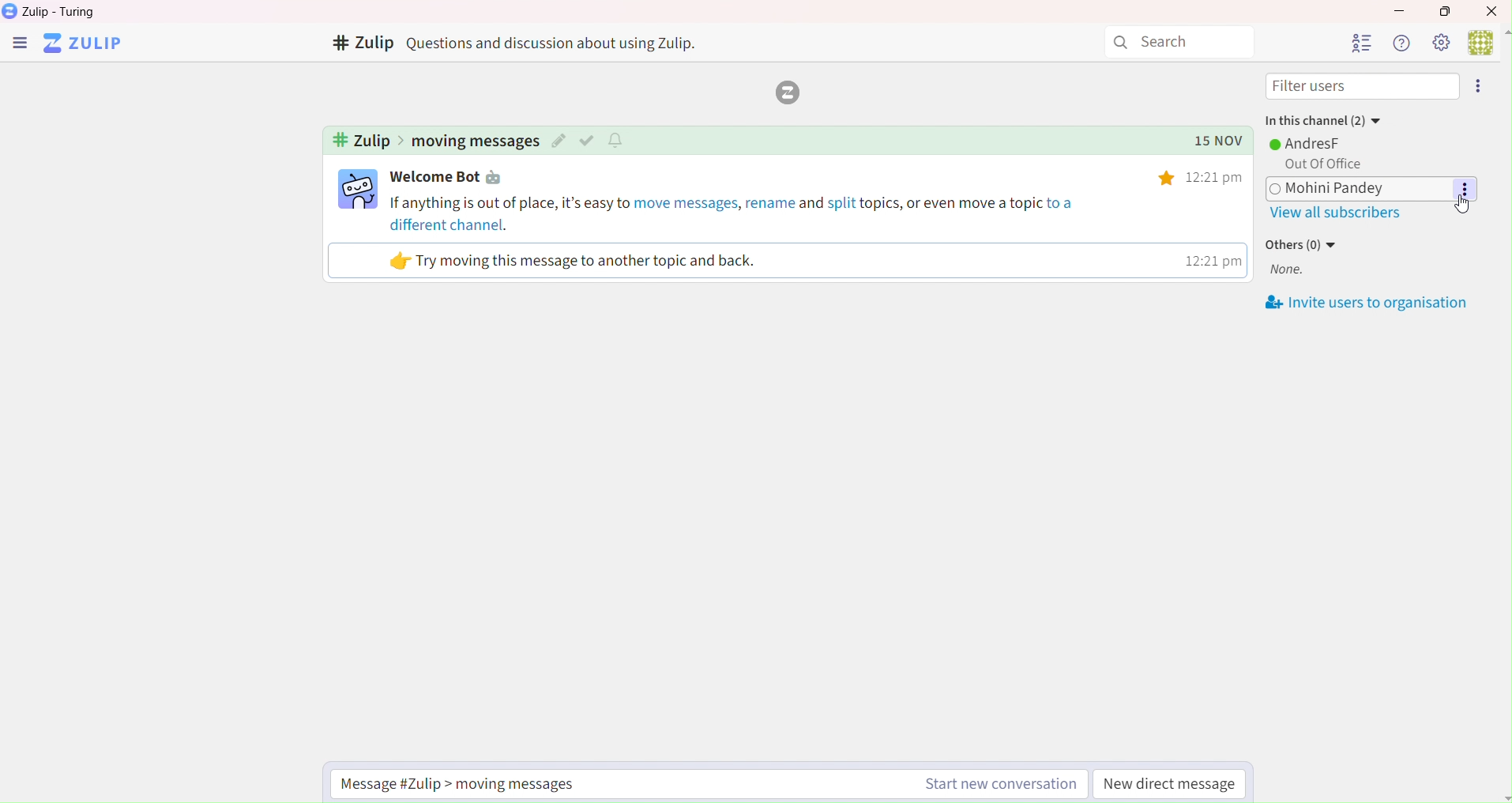 The width and height of the screenshot is (1512, 803). Describe the element at coordinates (1179, 43) in the screenshot. I see `Search` at that location.